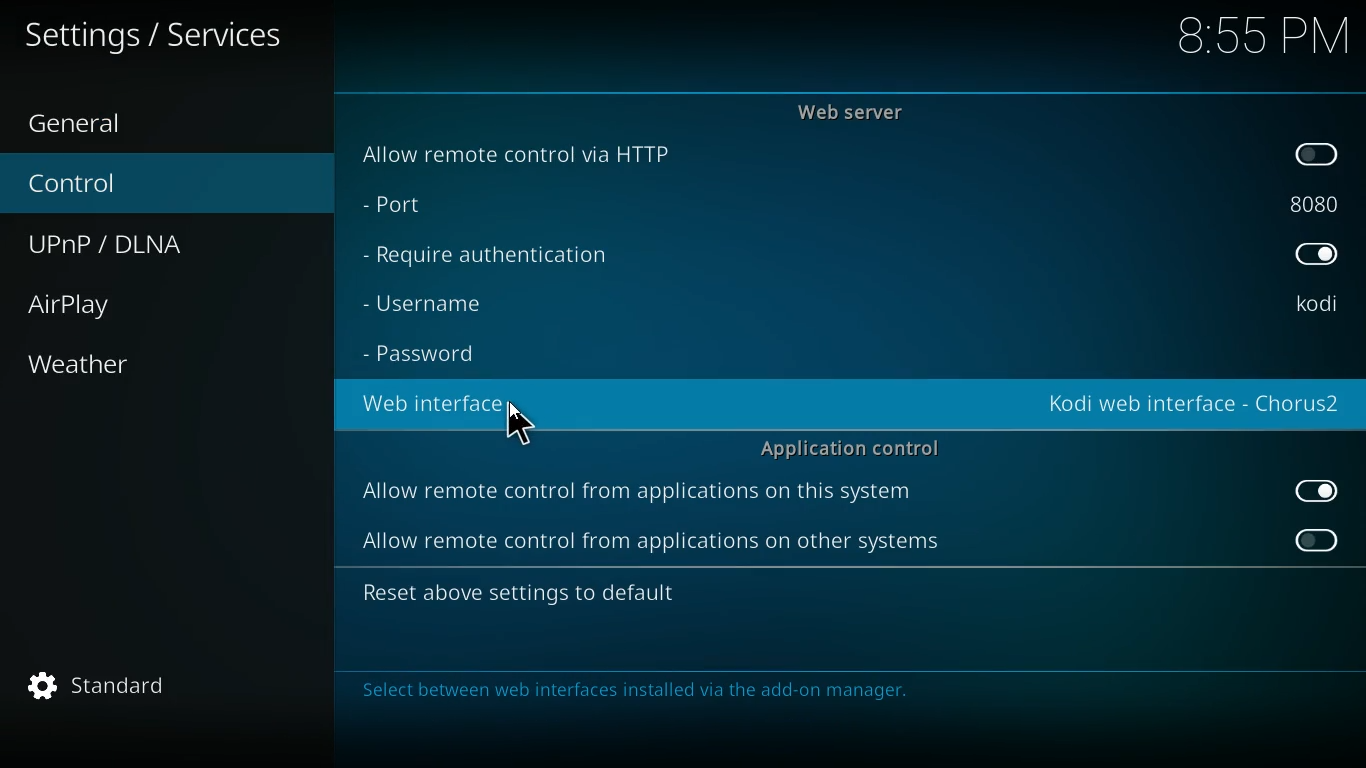  What do you see at coordinates (852, 447) in the screenshot?
I see `aplication control` at bounding box center [852, 447].